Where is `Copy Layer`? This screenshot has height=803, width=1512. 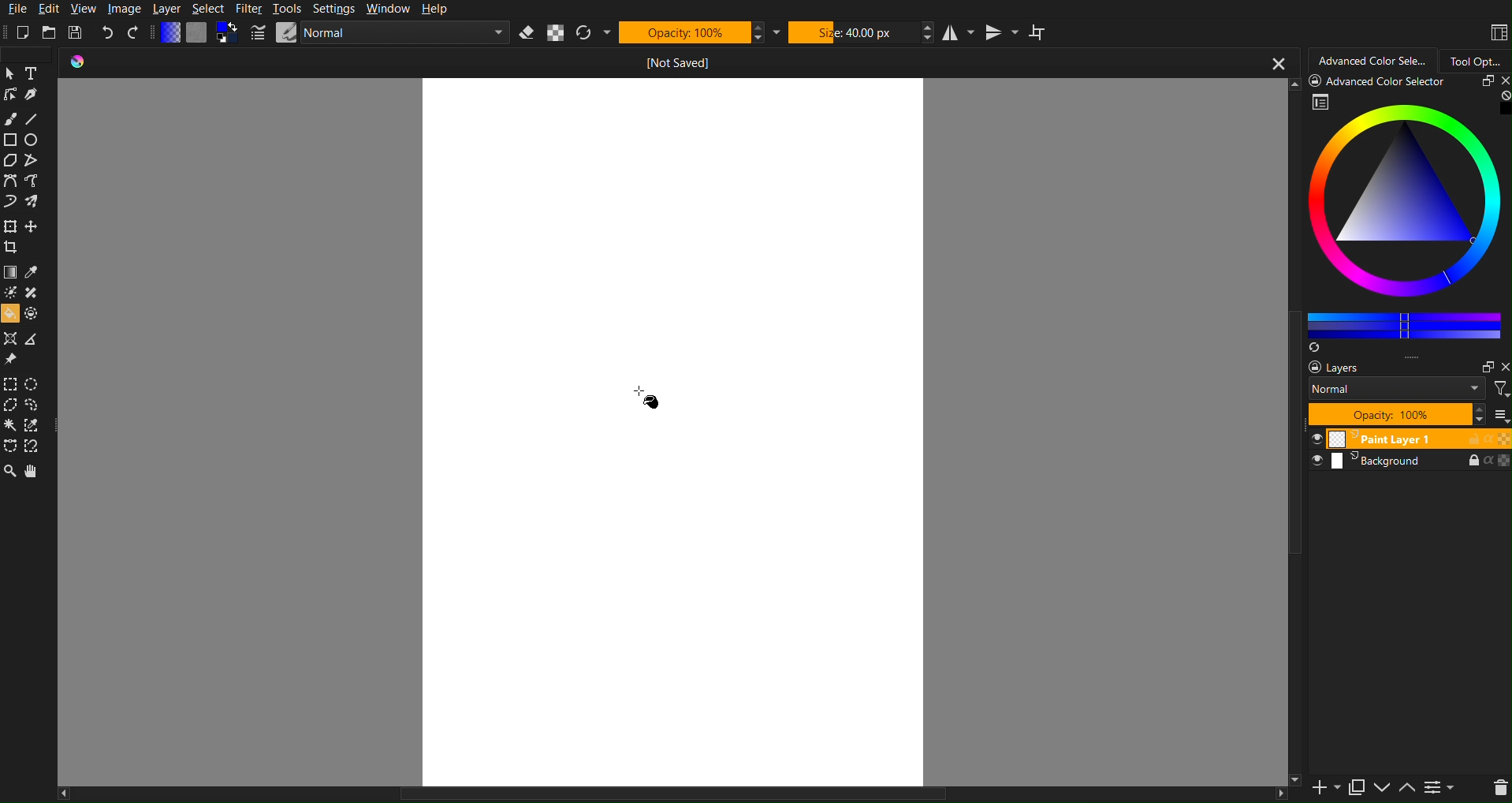
Copy Layer is located at coordinates (1353, 785).